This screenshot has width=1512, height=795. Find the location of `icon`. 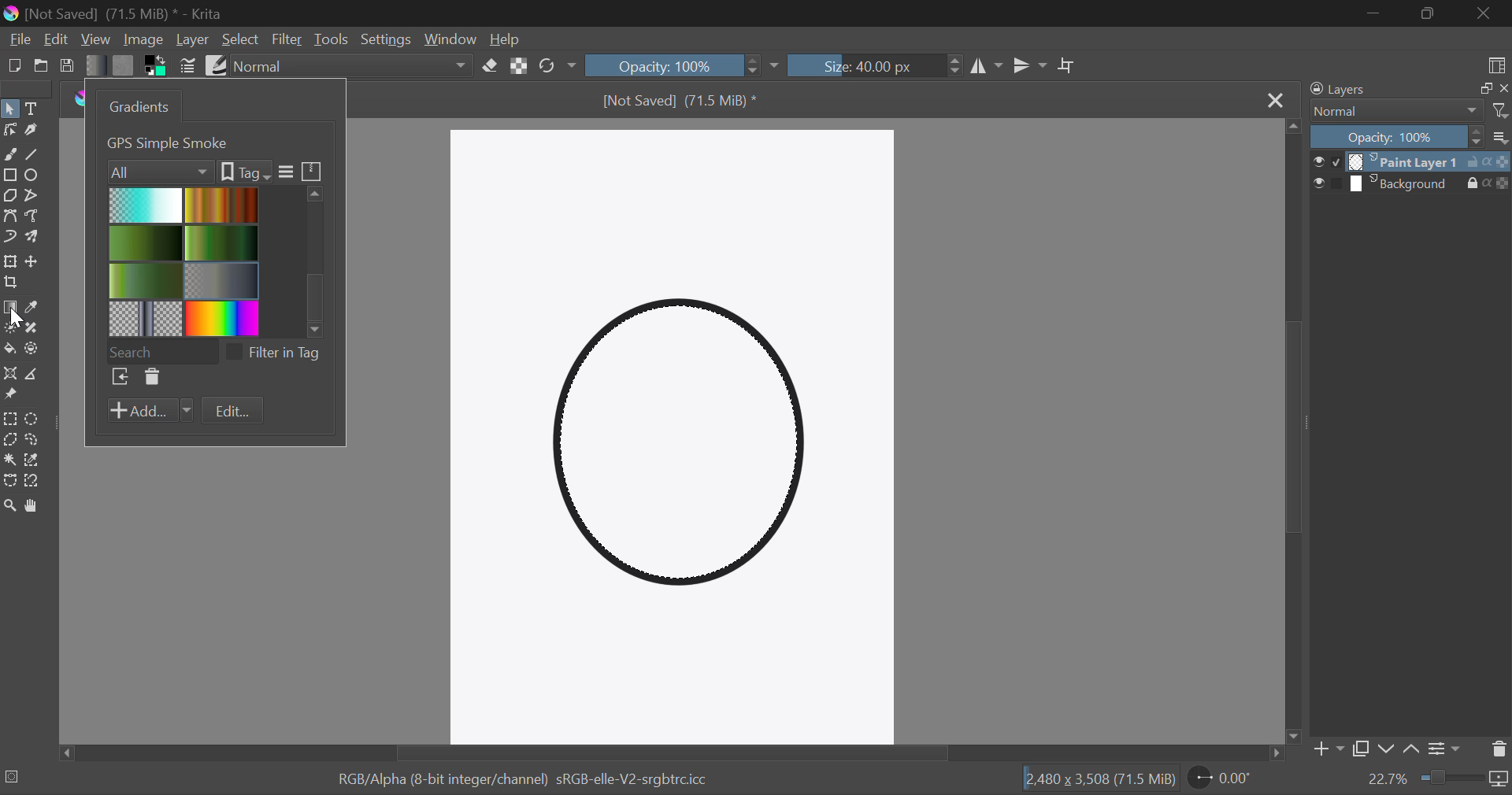

icon is located at coordinates (313, 170).